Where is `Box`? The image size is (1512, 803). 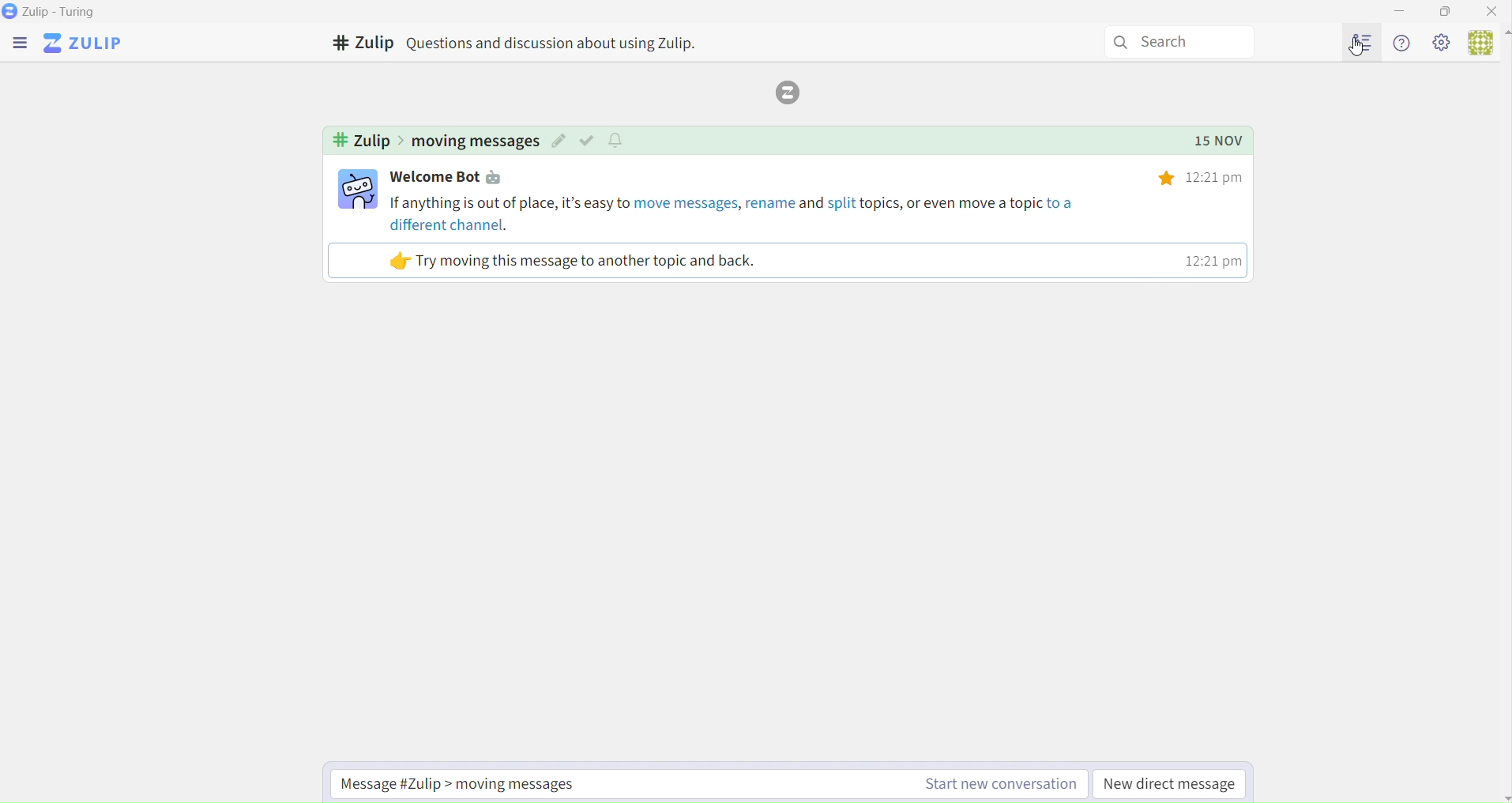
Box is located at coordinates (1450, 11).